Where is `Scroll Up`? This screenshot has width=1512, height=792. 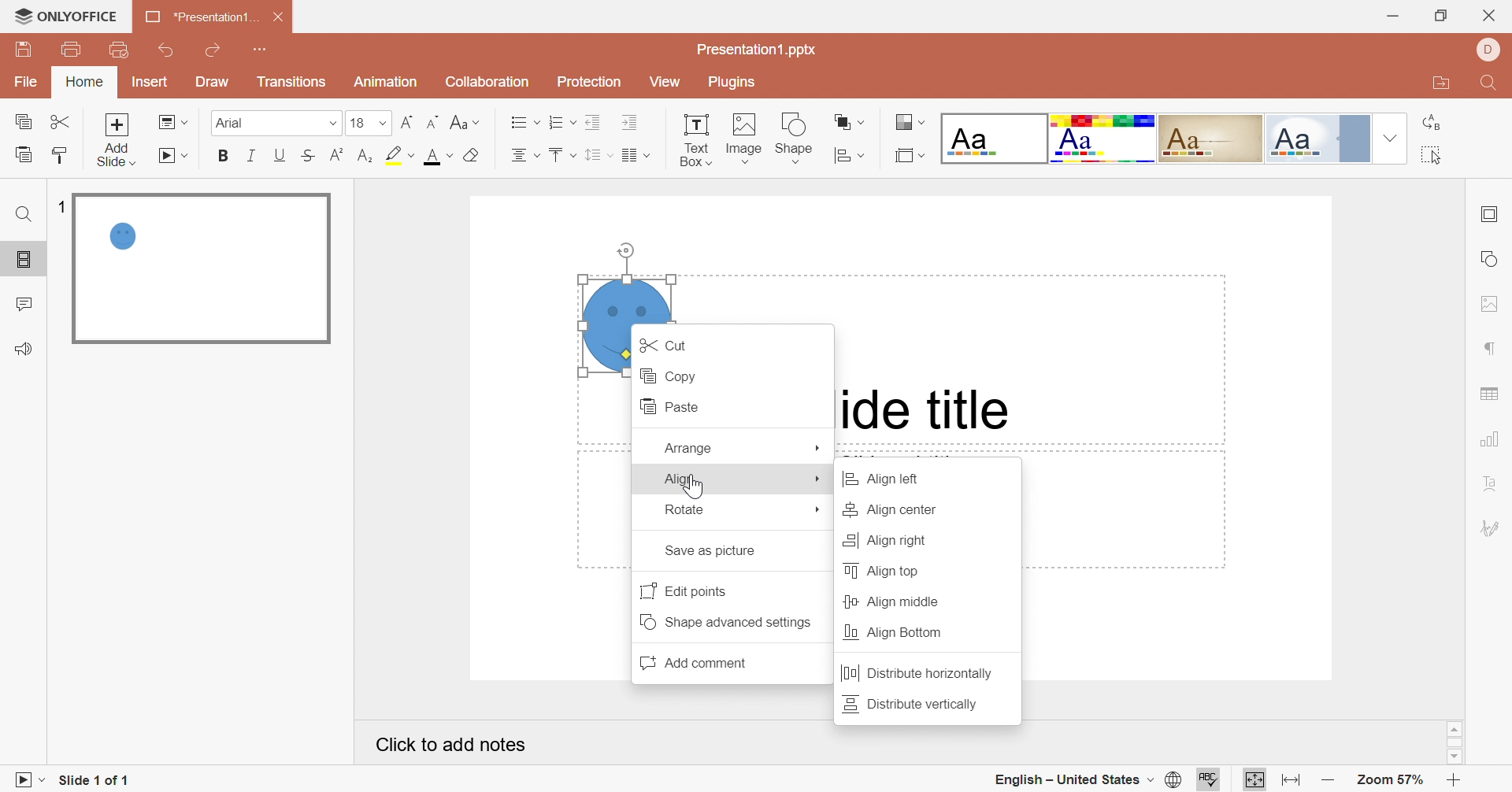 Scroll Up is located at coordinates (1455, 728).